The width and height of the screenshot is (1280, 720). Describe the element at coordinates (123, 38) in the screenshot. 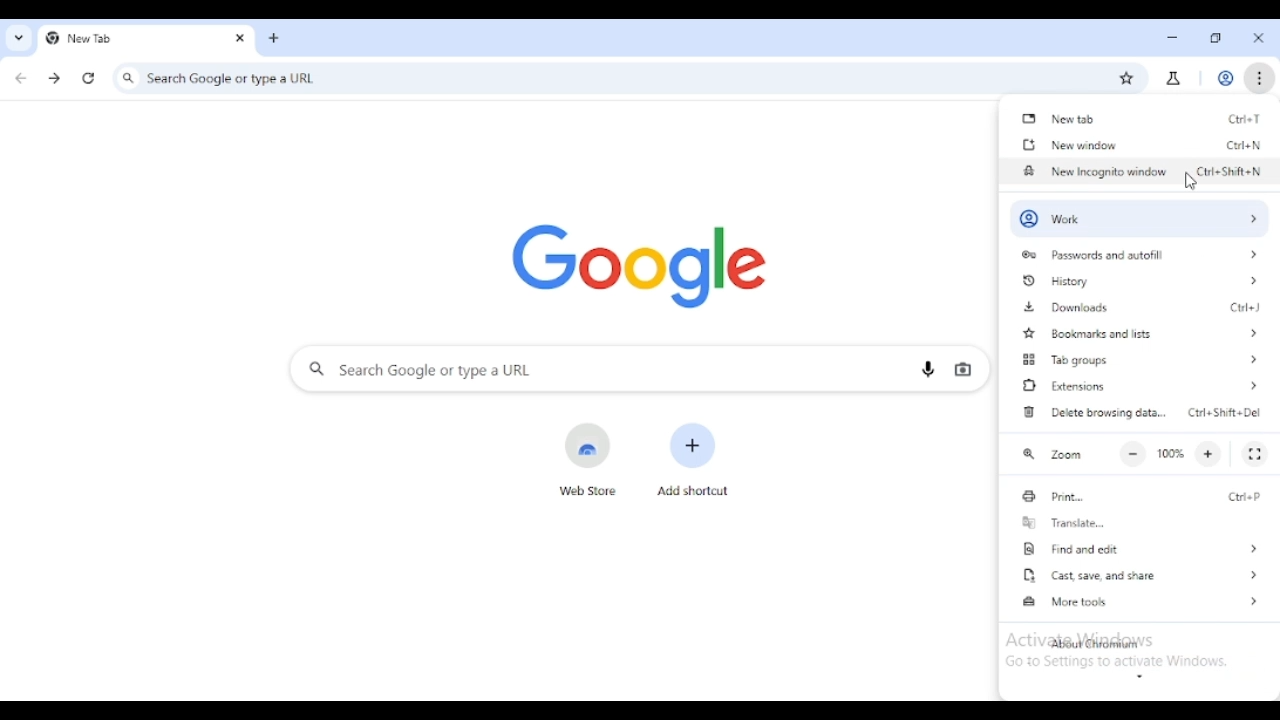

I see `new tab` at that location.